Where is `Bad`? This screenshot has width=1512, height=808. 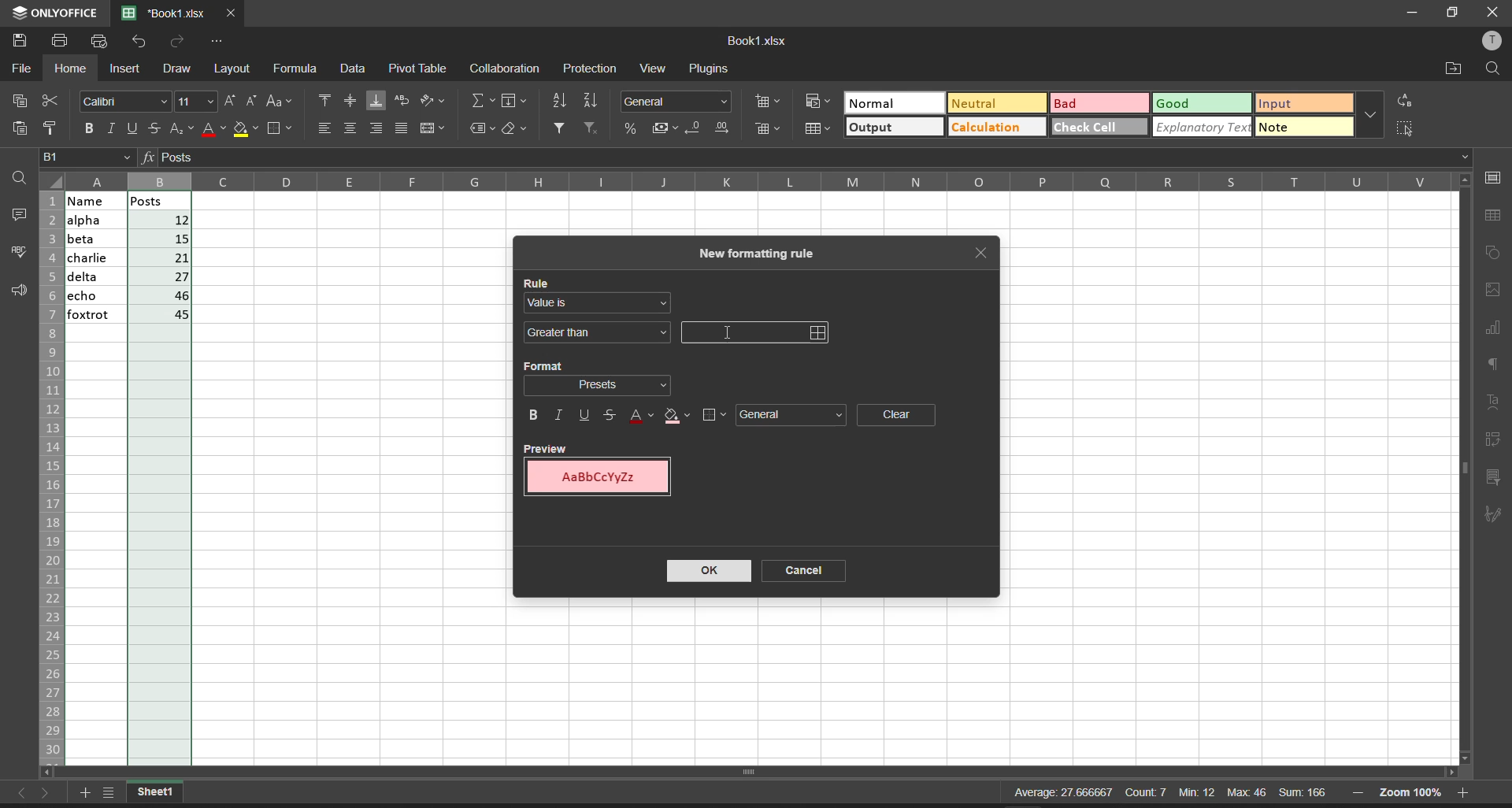 Bad is located at coordinates (1069, 103).